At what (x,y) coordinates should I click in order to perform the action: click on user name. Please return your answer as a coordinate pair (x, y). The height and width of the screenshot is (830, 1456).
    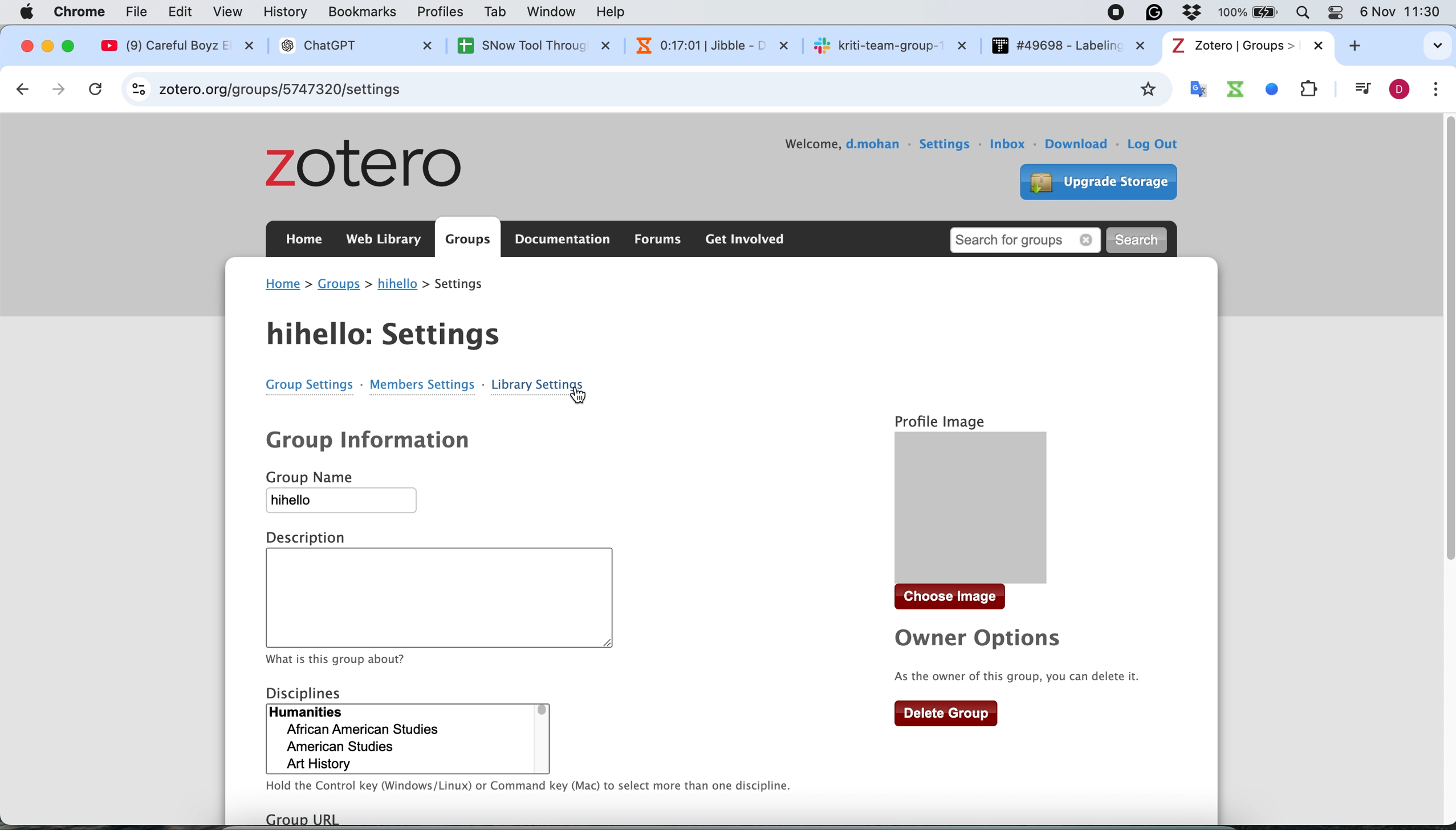
    Looking at the image, I should click on (873, 147).